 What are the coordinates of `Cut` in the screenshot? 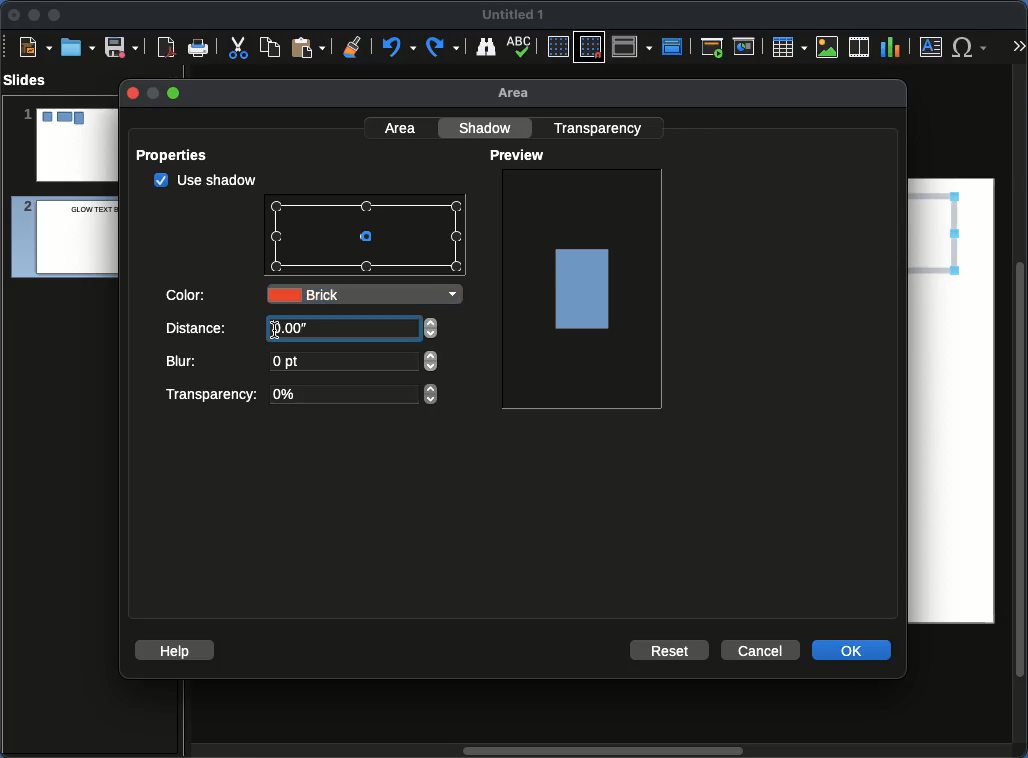 It's located at (238, 47).